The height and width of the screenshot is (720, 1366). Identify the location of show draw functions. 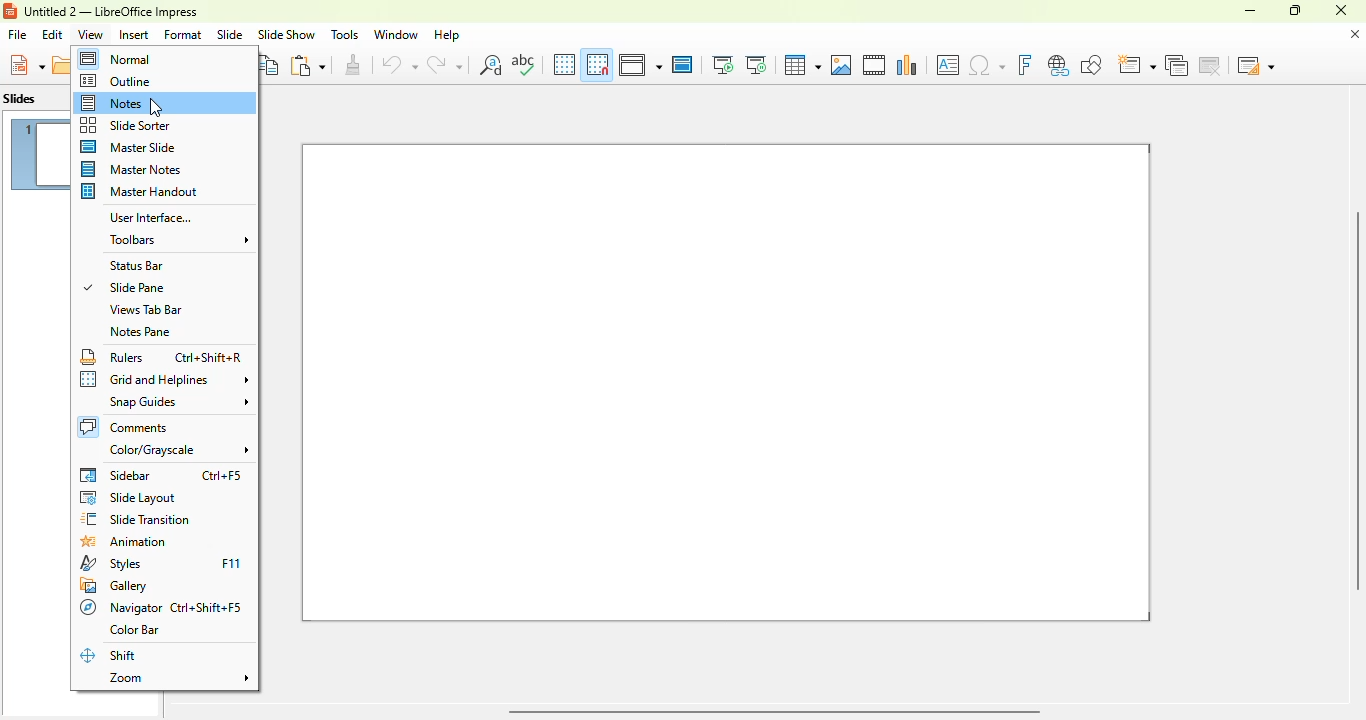
(1092, 64).